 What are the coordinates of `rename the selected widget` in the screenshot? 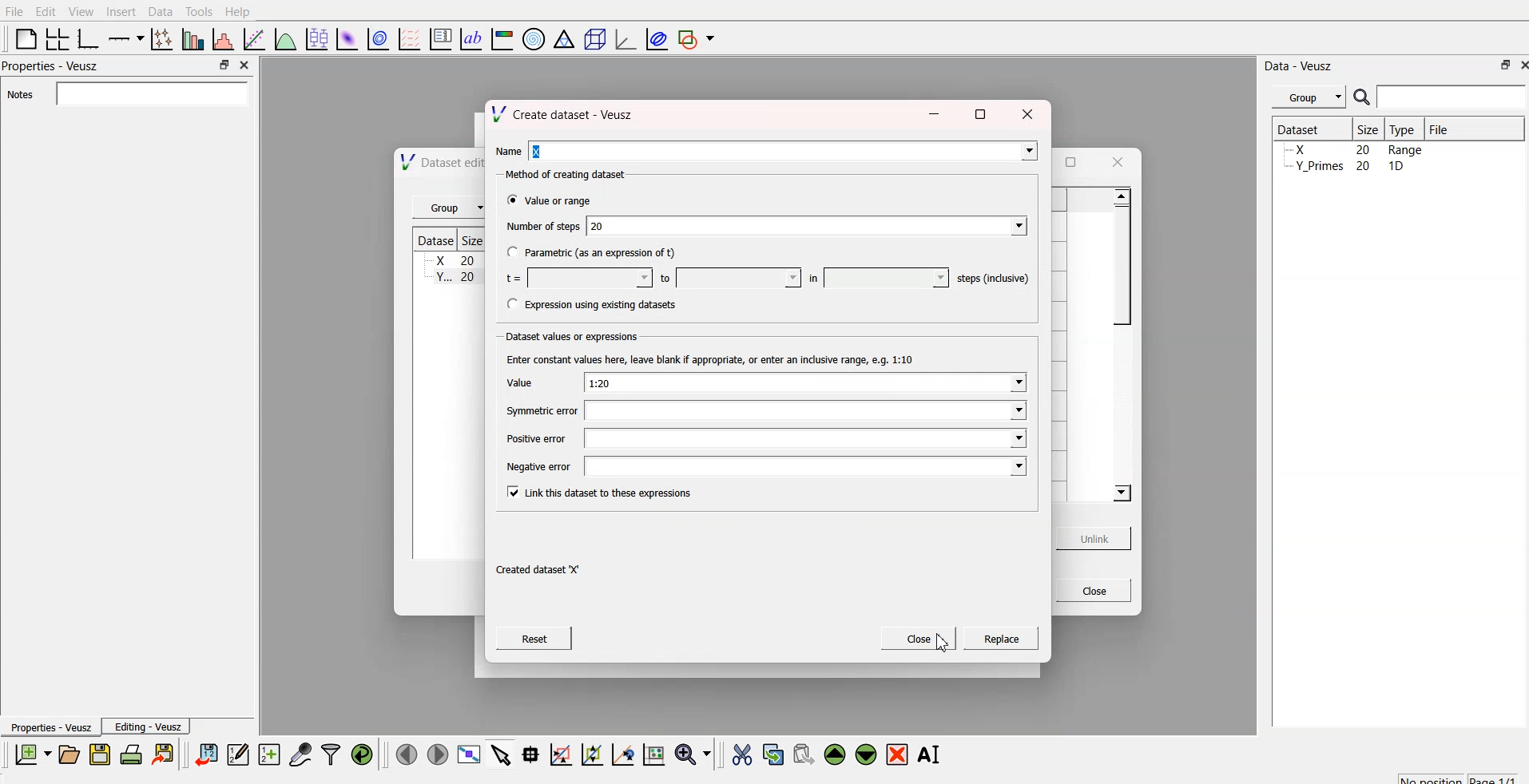 It's located at (933, 752).